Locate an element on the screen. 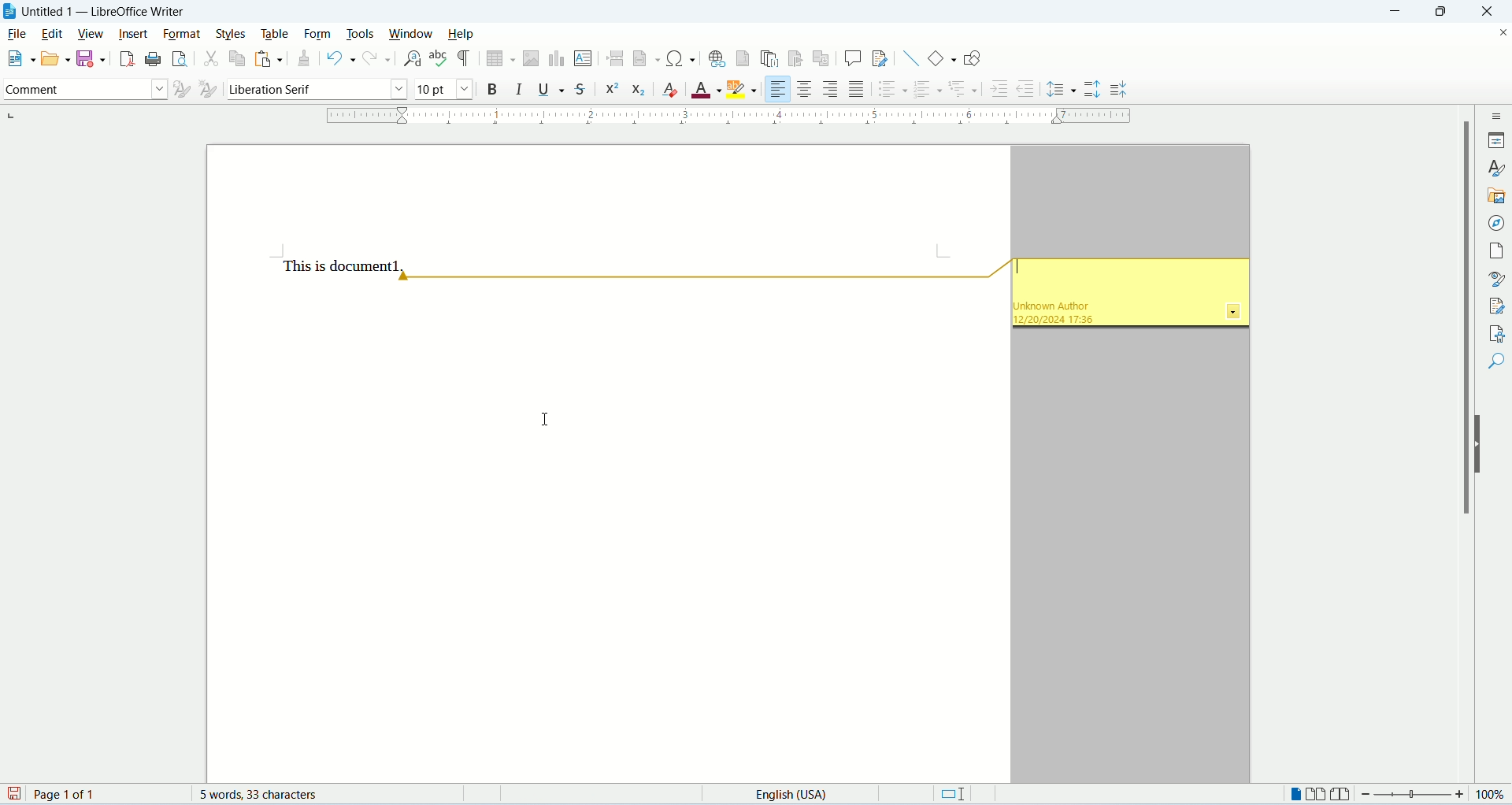 This screenshot has width=1512, height=805. insert endnote is located at coordinates (769, 59).